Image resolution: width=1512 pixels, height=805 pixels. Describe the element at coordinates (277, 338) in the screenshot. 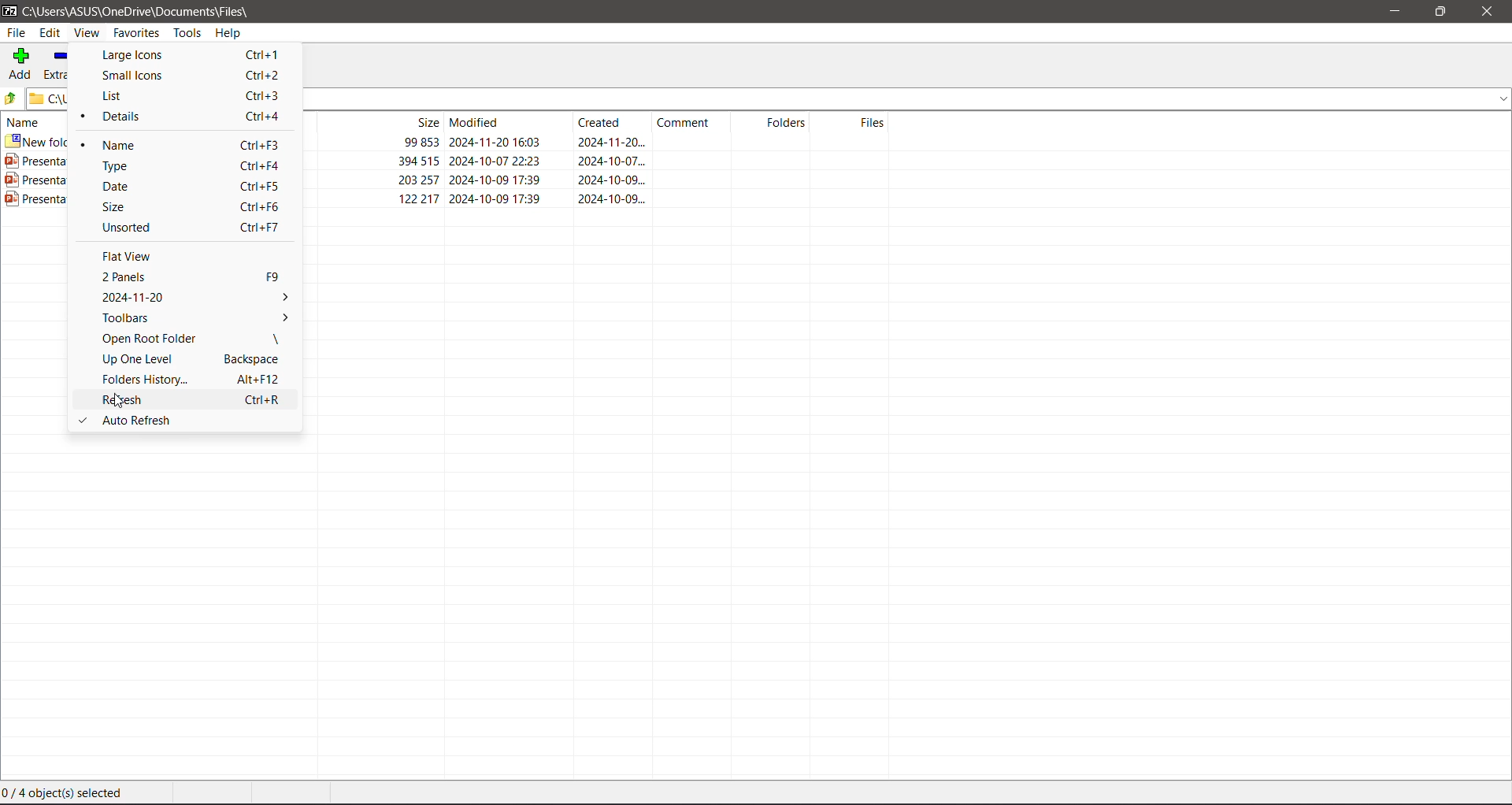

I see `\` at that location.